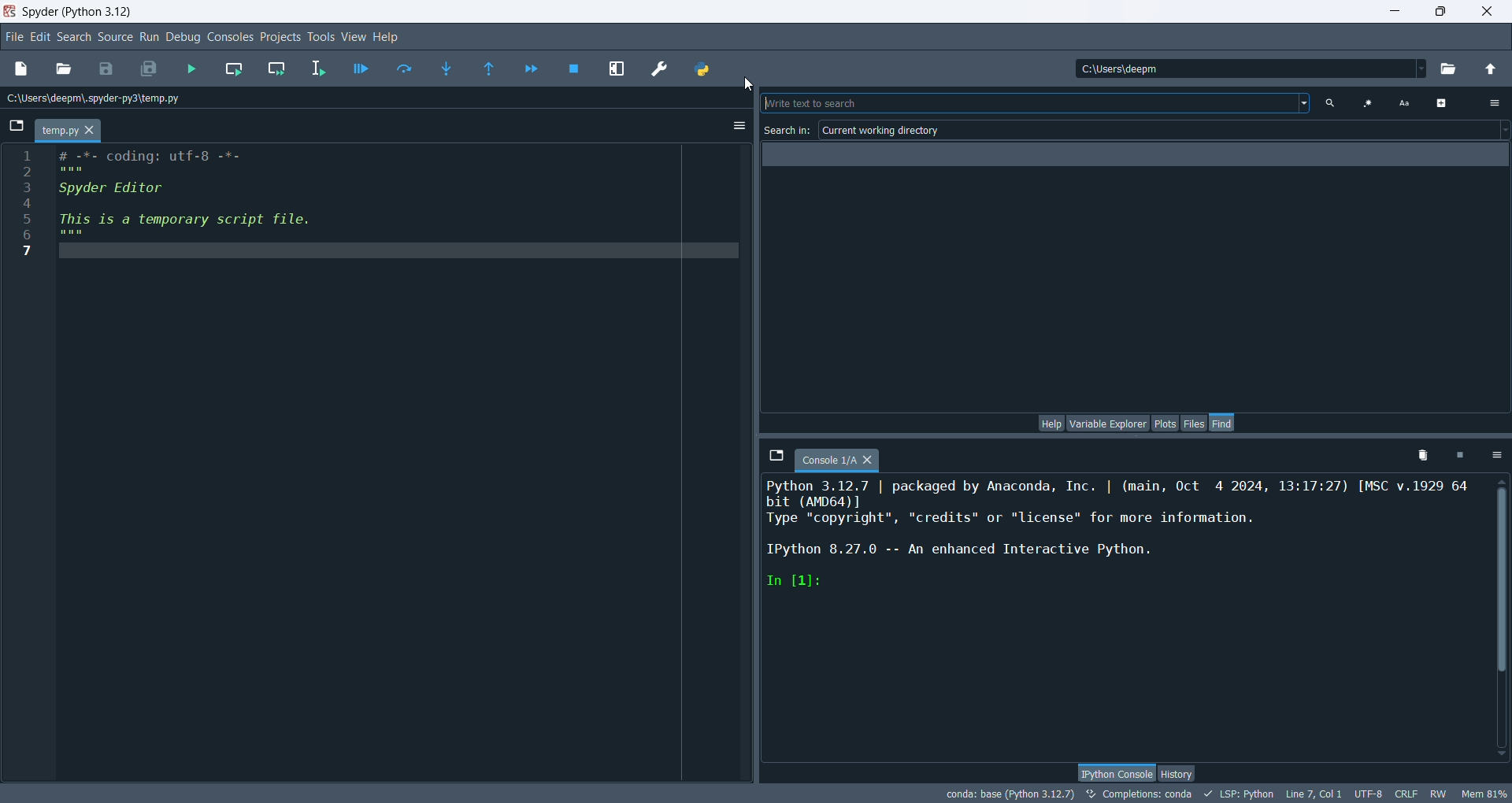 This screenshot has width=1512, height=803. I want to click on file, so click(14, 37).